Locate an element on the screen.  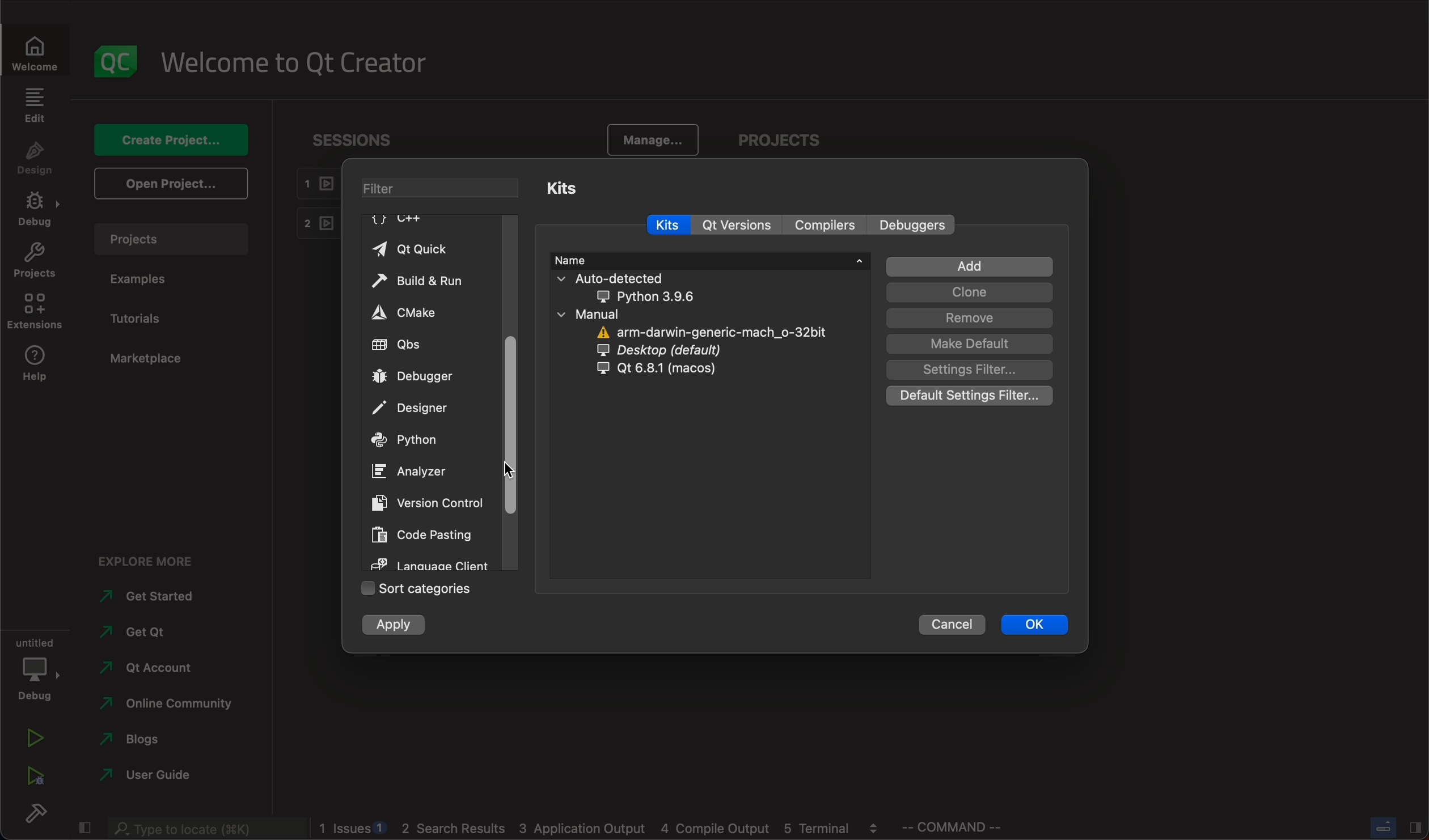
open is located at coordinates (174, 184).